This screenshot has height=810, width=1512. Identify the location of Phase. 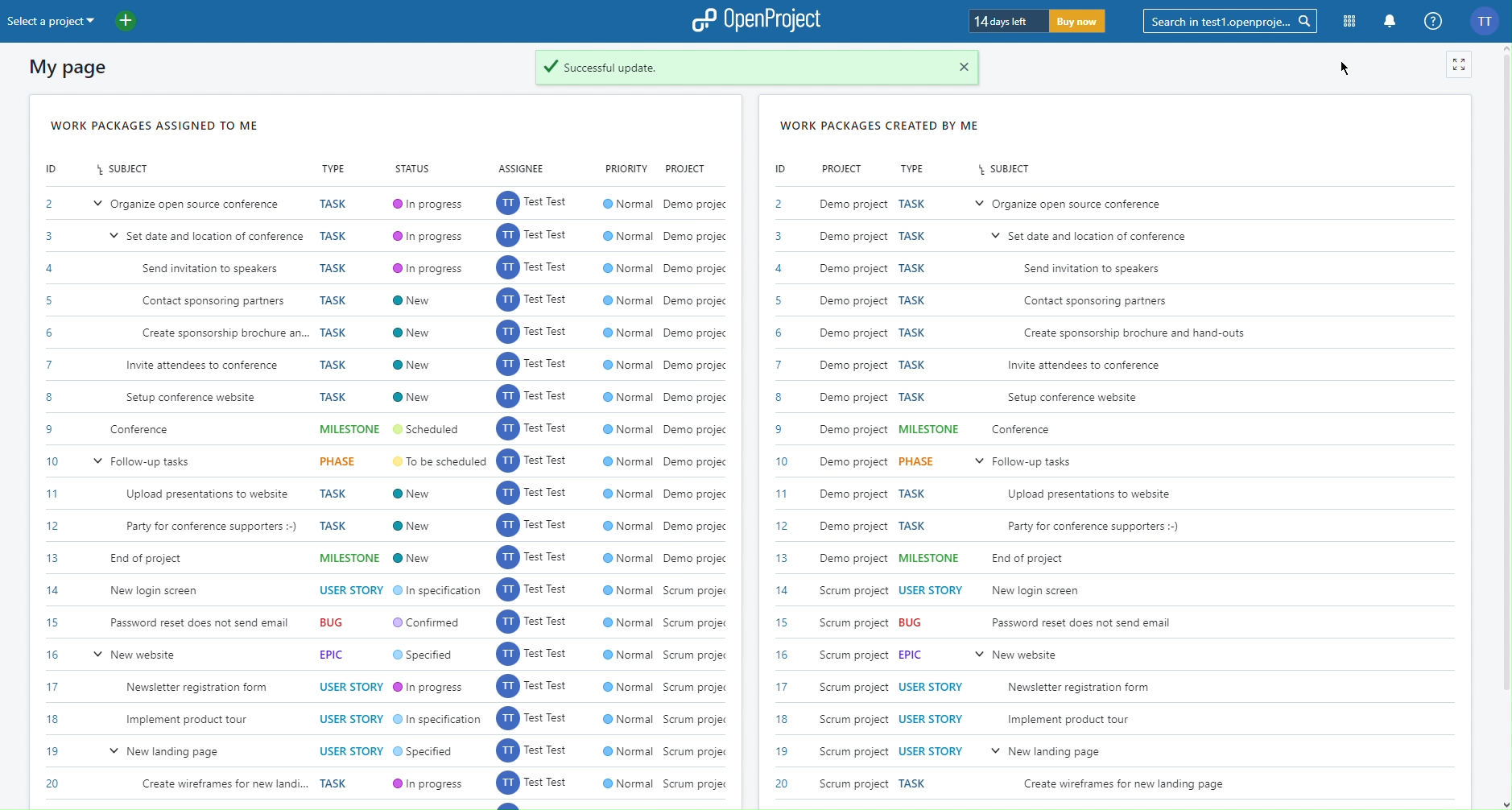
(342, 464).